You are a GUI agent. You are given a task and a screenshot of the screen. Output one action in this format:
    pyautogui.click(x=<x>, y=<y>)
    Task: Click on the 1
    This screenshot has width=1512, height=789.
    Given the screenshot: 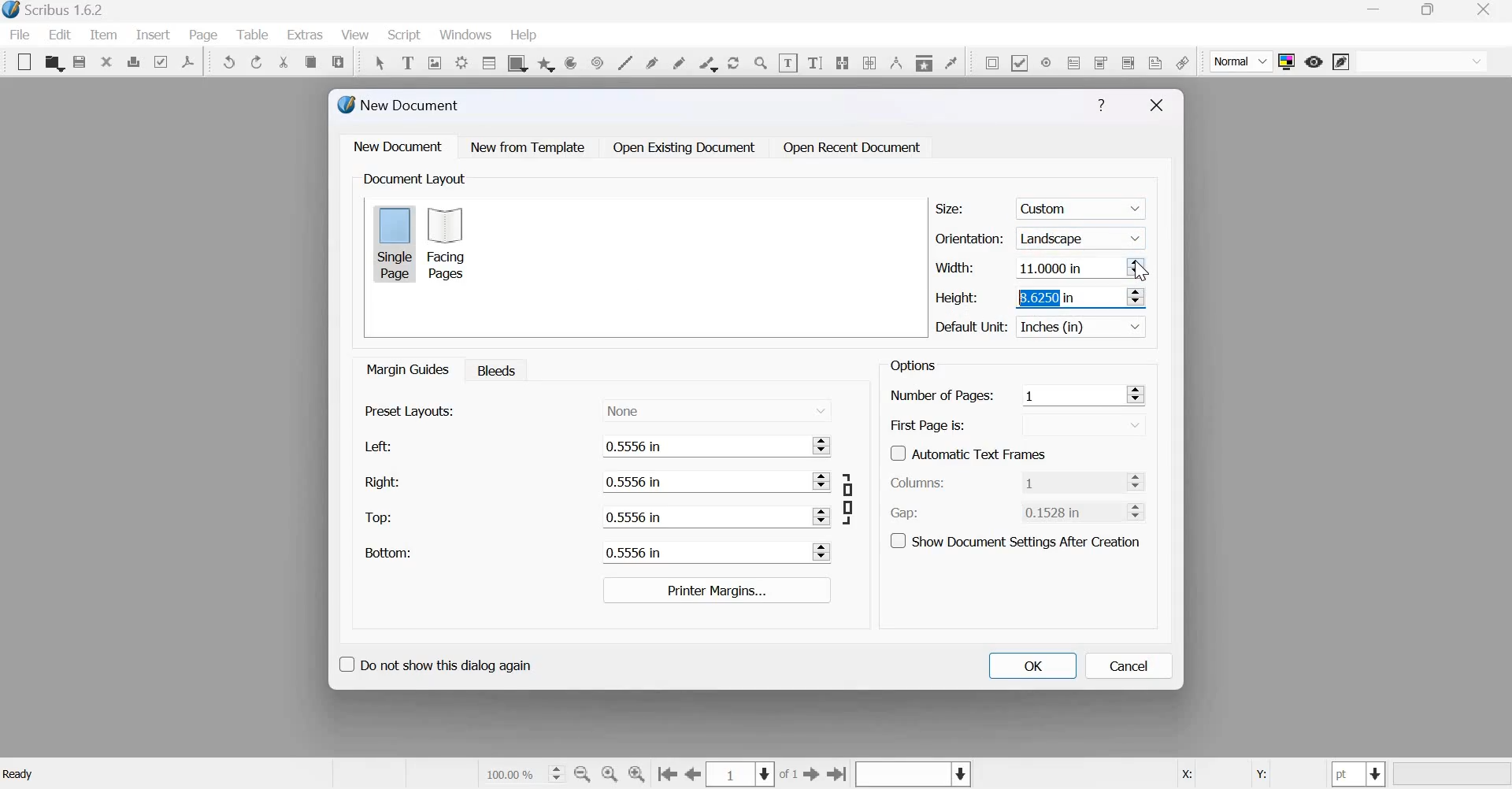 What is the action you would take?
    pyautogui.click(x=1069, y=482)
    